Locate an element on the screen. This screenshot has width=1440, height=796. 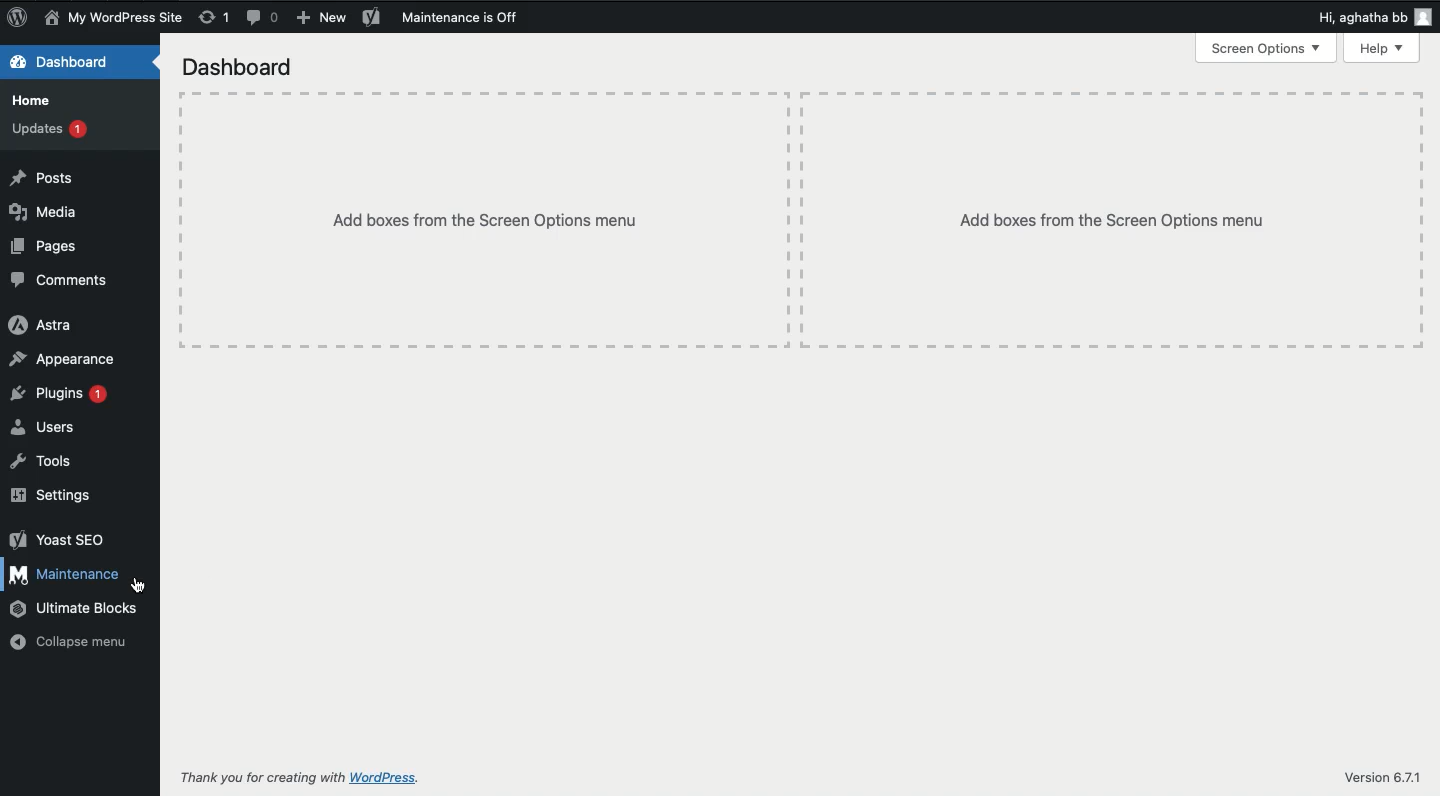
Dashboard is located at coordinates (240, 67).